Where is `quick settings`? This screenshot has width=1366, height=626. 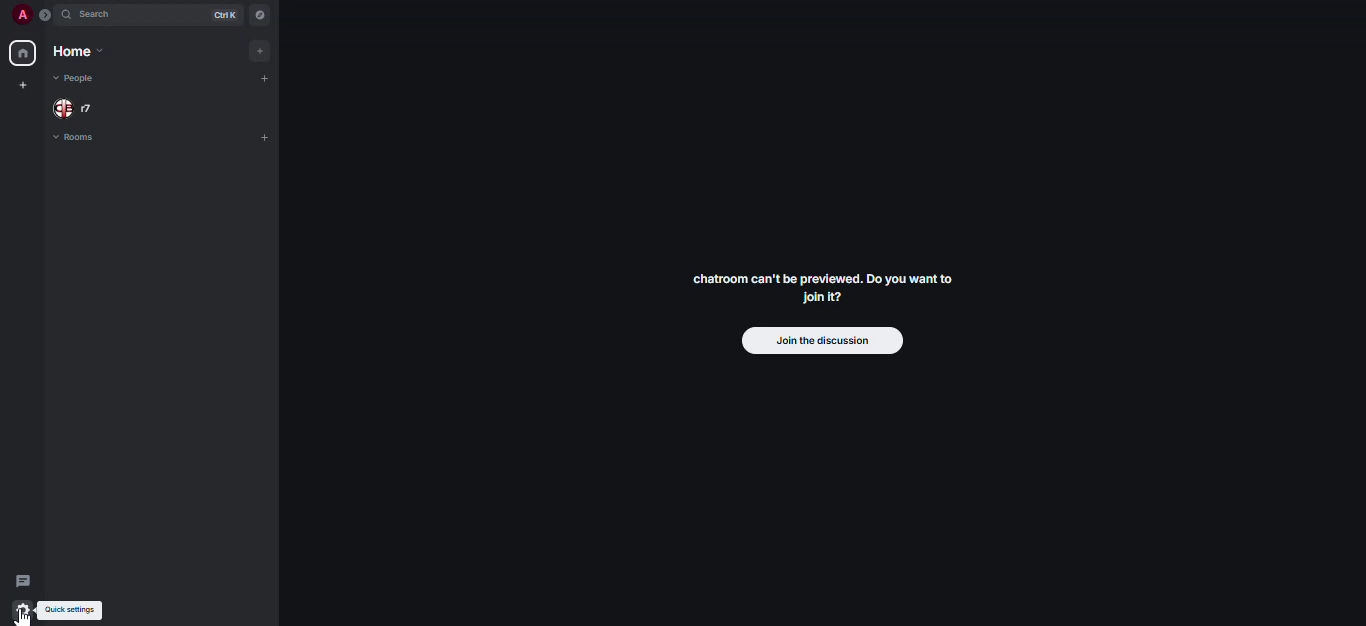
quick settings is located at coordinates (25, 612).